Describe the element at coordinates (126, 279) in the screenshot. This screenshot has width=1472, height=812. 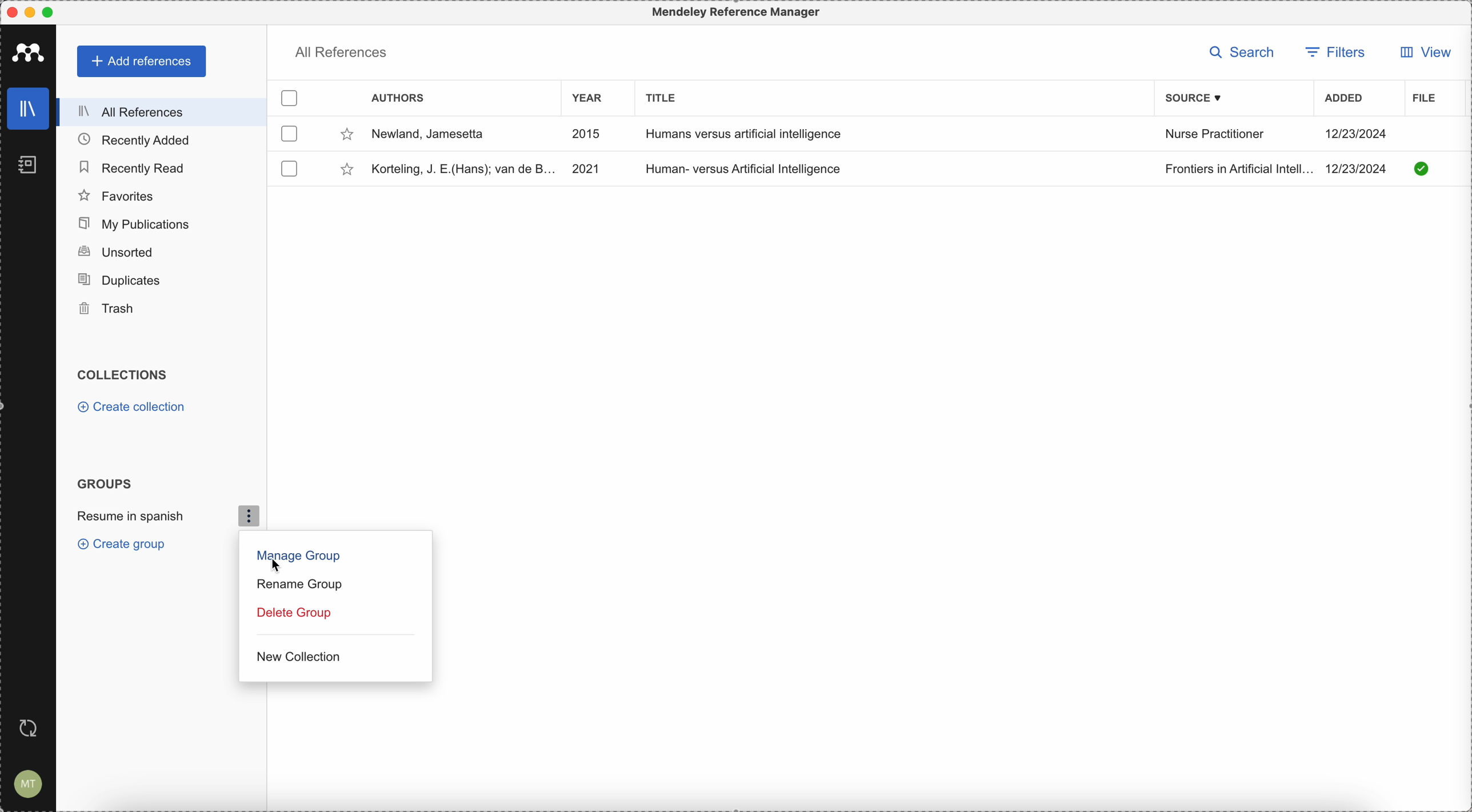
I see `duplicates` at that location.